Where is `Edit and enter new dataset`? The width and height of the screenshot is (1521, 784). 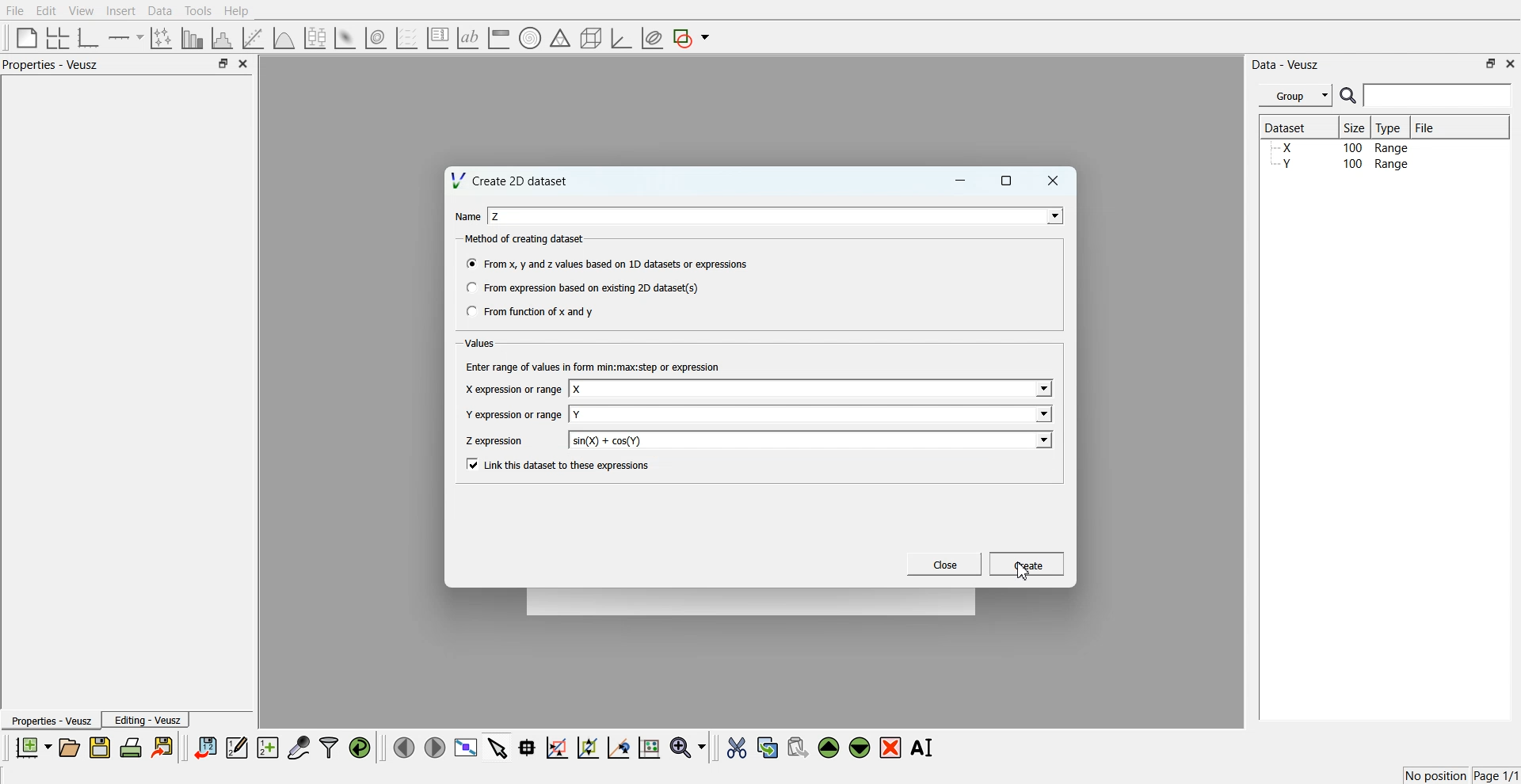 Edit and enter new dataset is located at coordinates (236, 747).